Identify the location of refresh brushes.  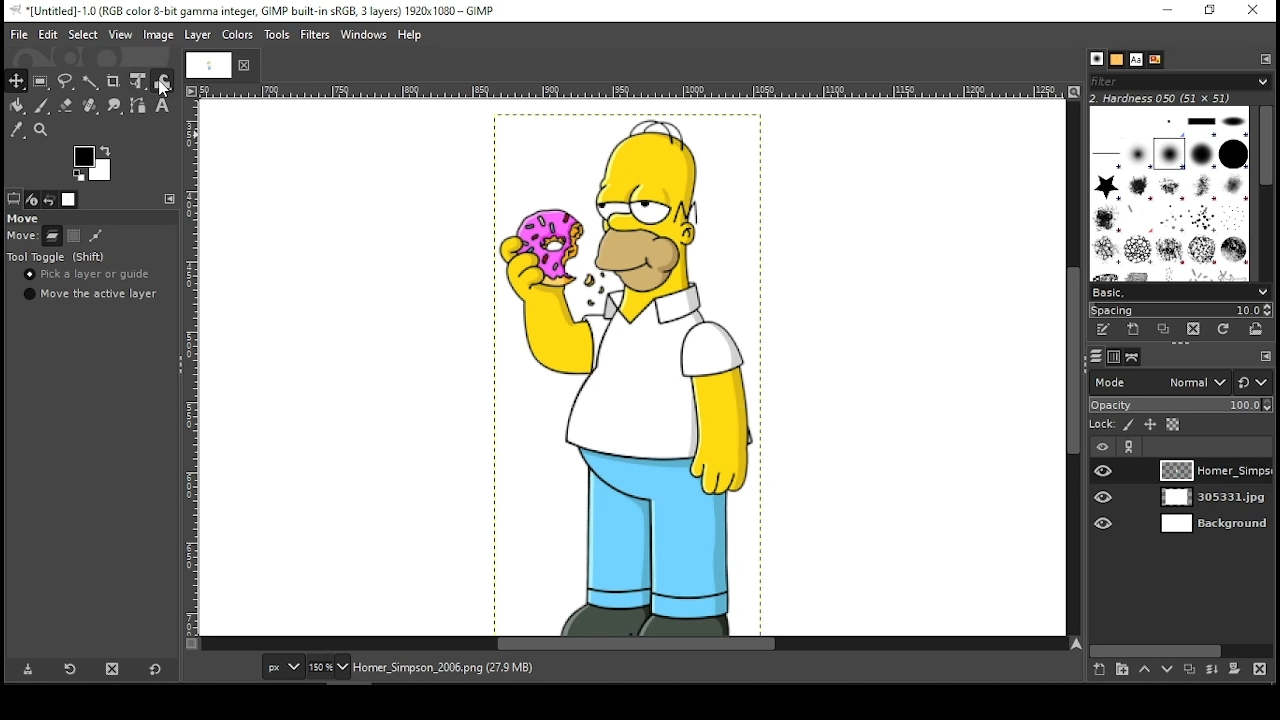
(1226, 329).